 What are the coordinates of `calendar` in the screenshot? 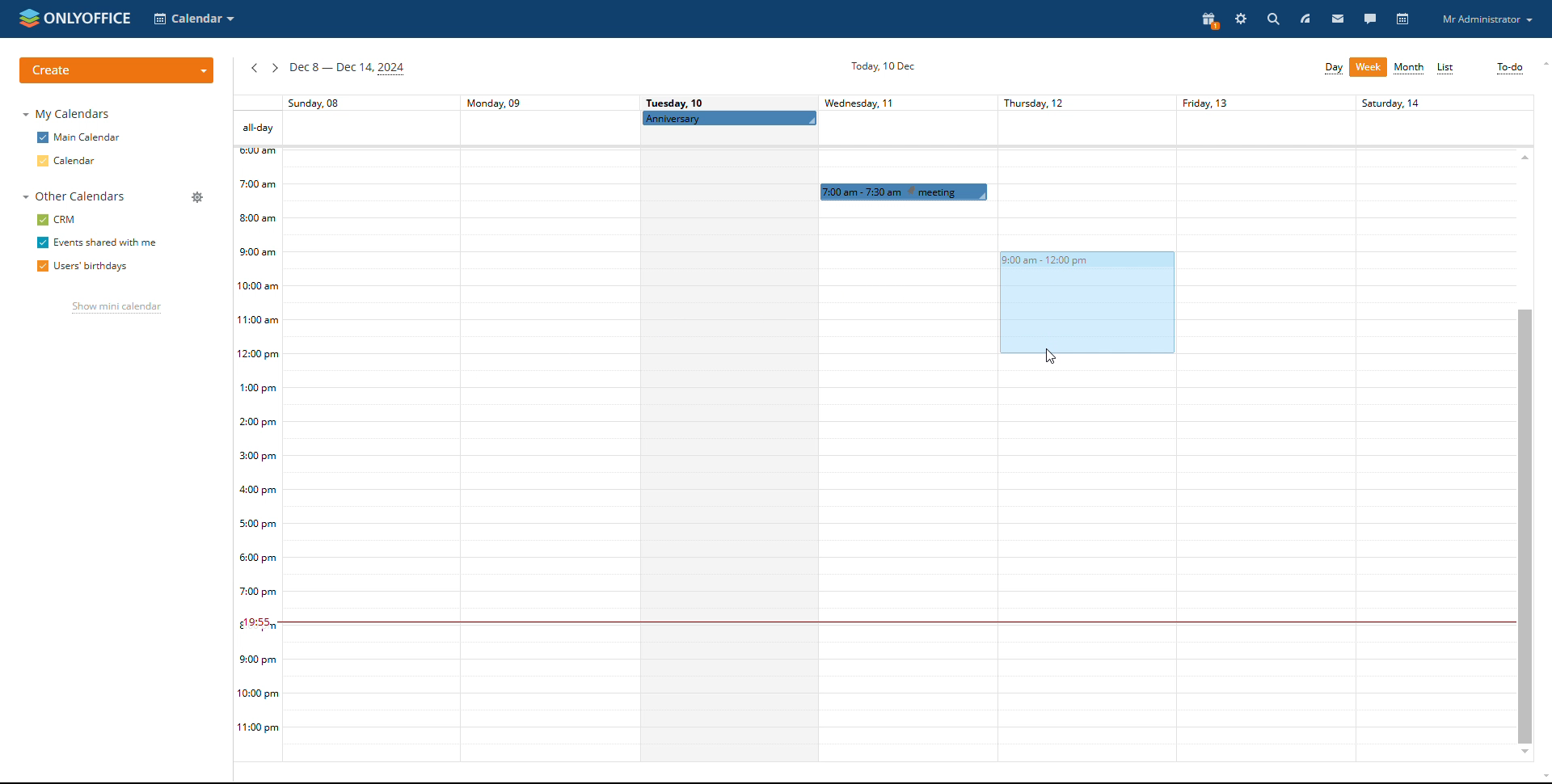 It's located at (78, 161).